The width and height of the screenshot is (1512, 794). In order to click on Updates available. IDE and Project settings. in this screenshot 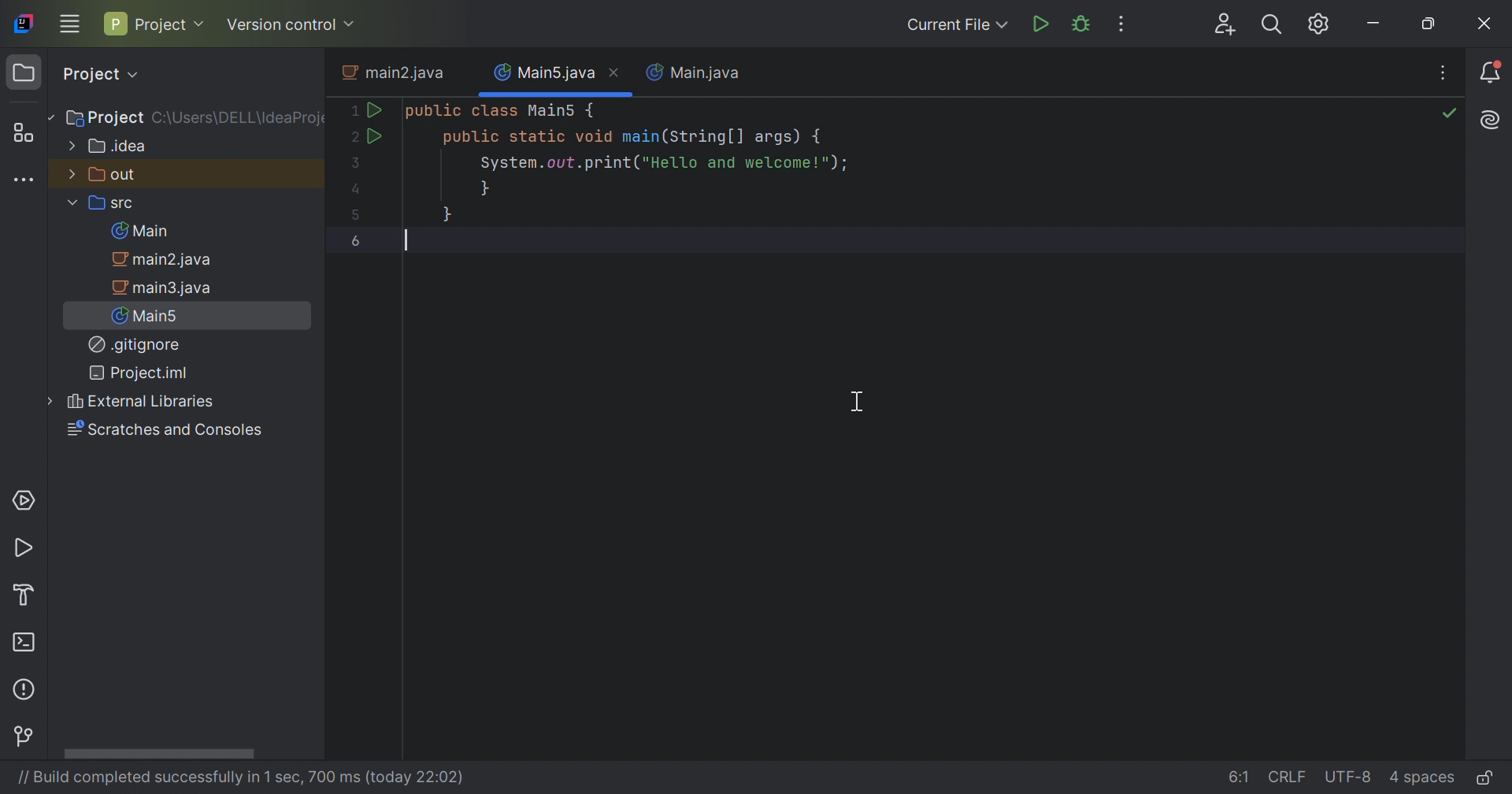, I will do `click(1319, 25)`.